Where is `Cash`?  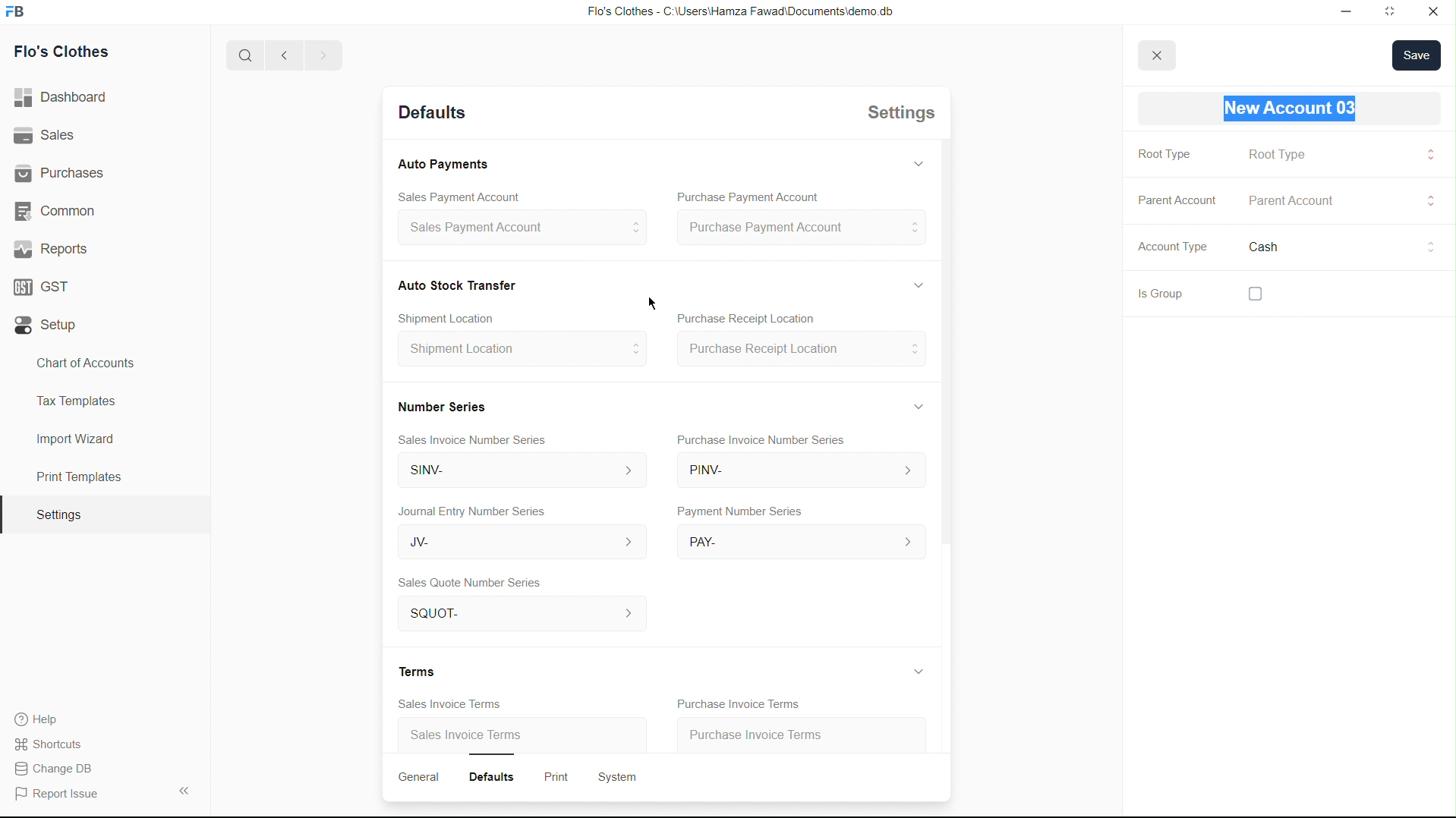
Cash is located at coordinates (458, 284).